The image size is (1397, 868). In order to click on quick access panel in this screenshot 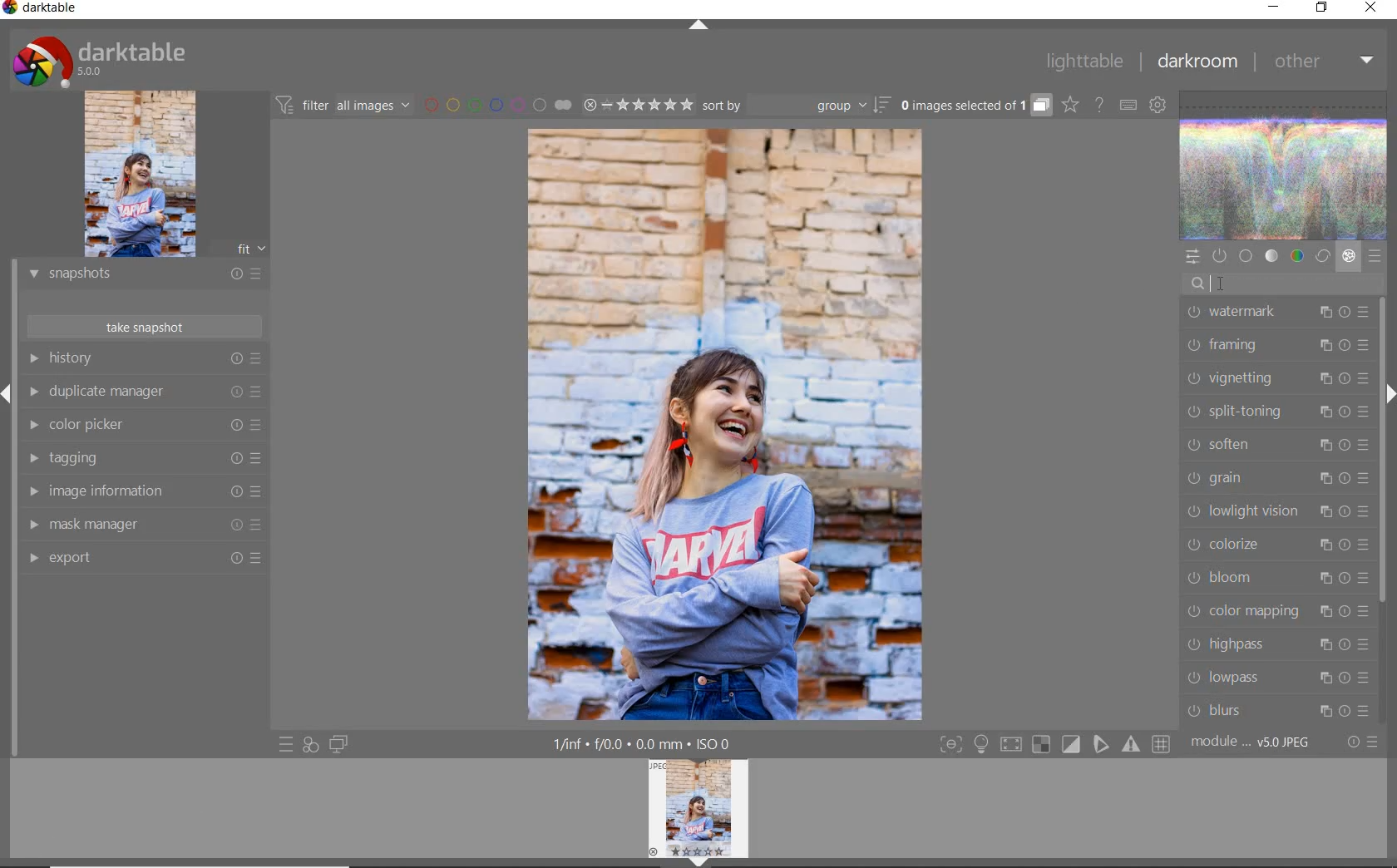, I will do `click(1194, 254)`.